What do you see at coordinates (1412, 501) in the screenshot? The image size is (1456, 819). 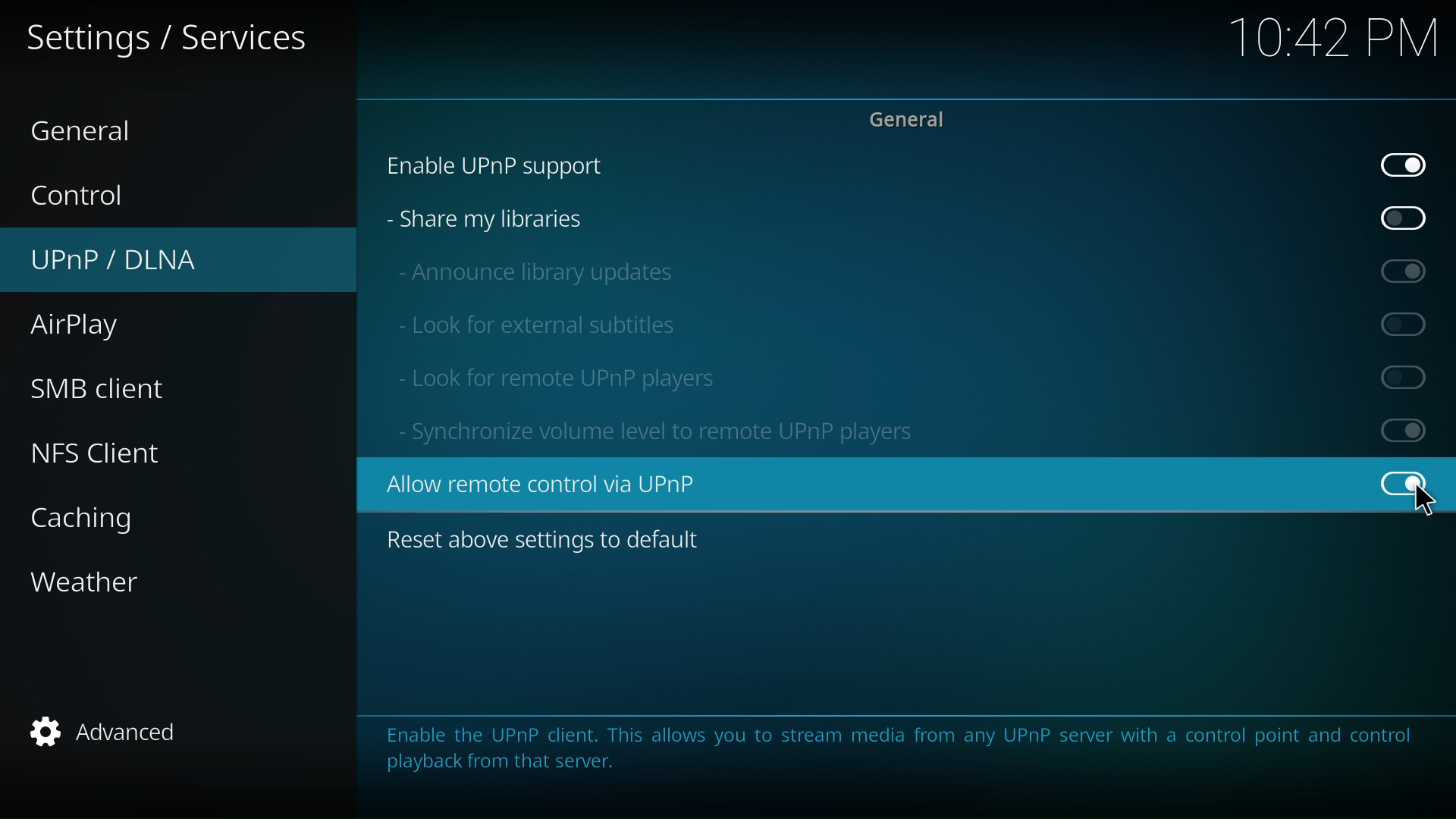 I see `Cursor` at bounding box center [1412, 501].